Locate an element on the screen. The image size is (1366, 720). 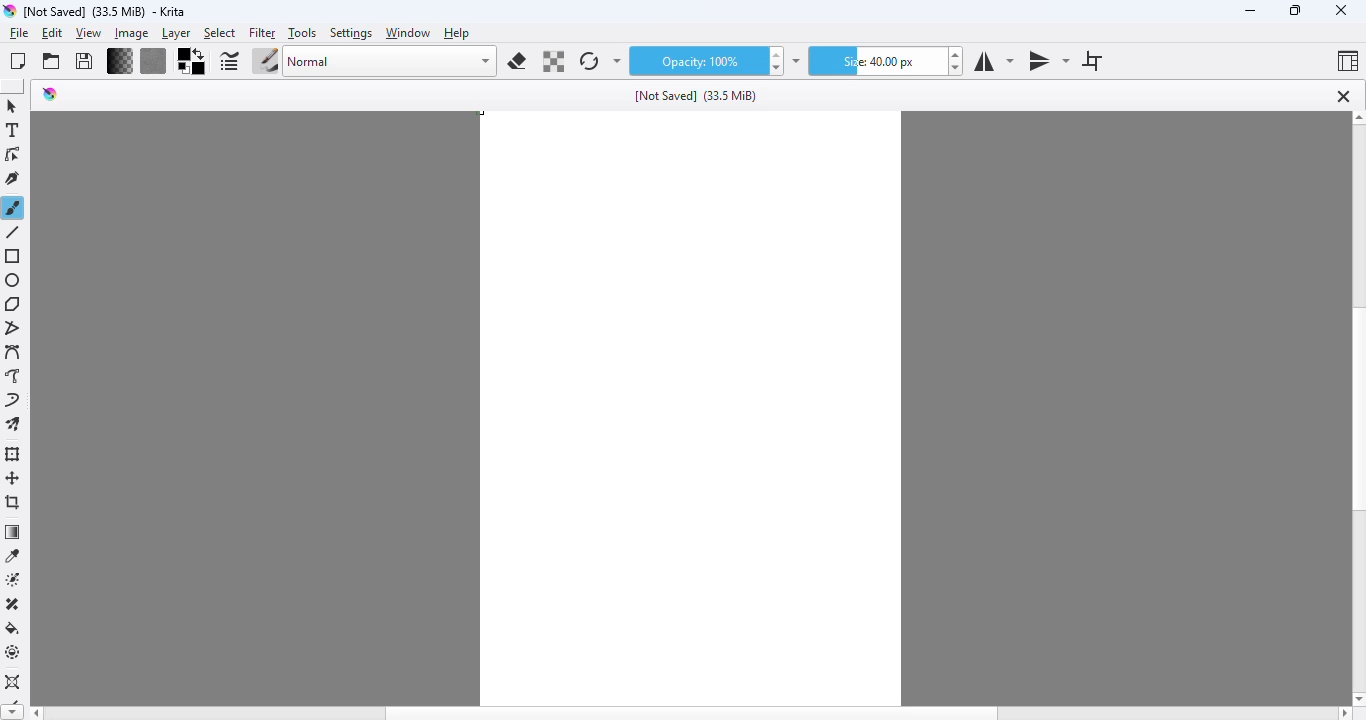
close is located at coordinates (1341, 10).